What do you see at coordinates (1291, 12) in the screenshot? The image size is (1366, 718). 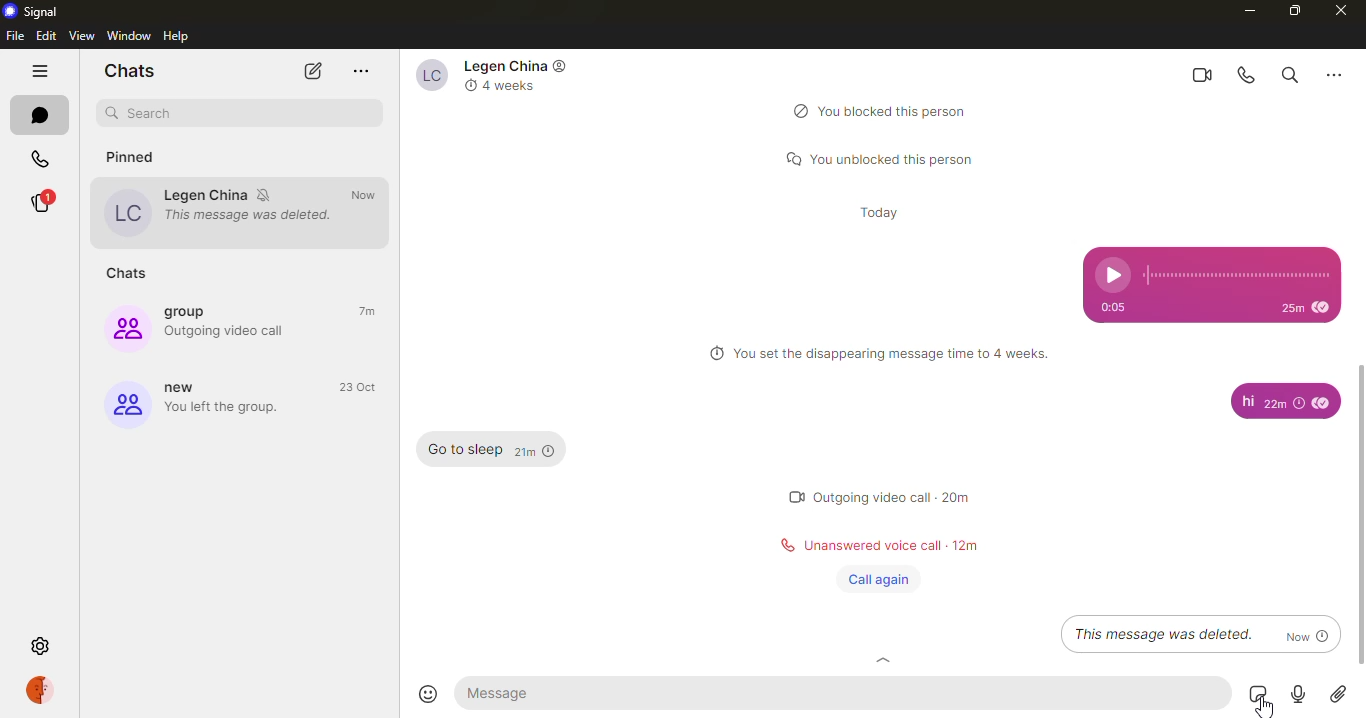 I see `maximize` at bounding box center [1291, 12].